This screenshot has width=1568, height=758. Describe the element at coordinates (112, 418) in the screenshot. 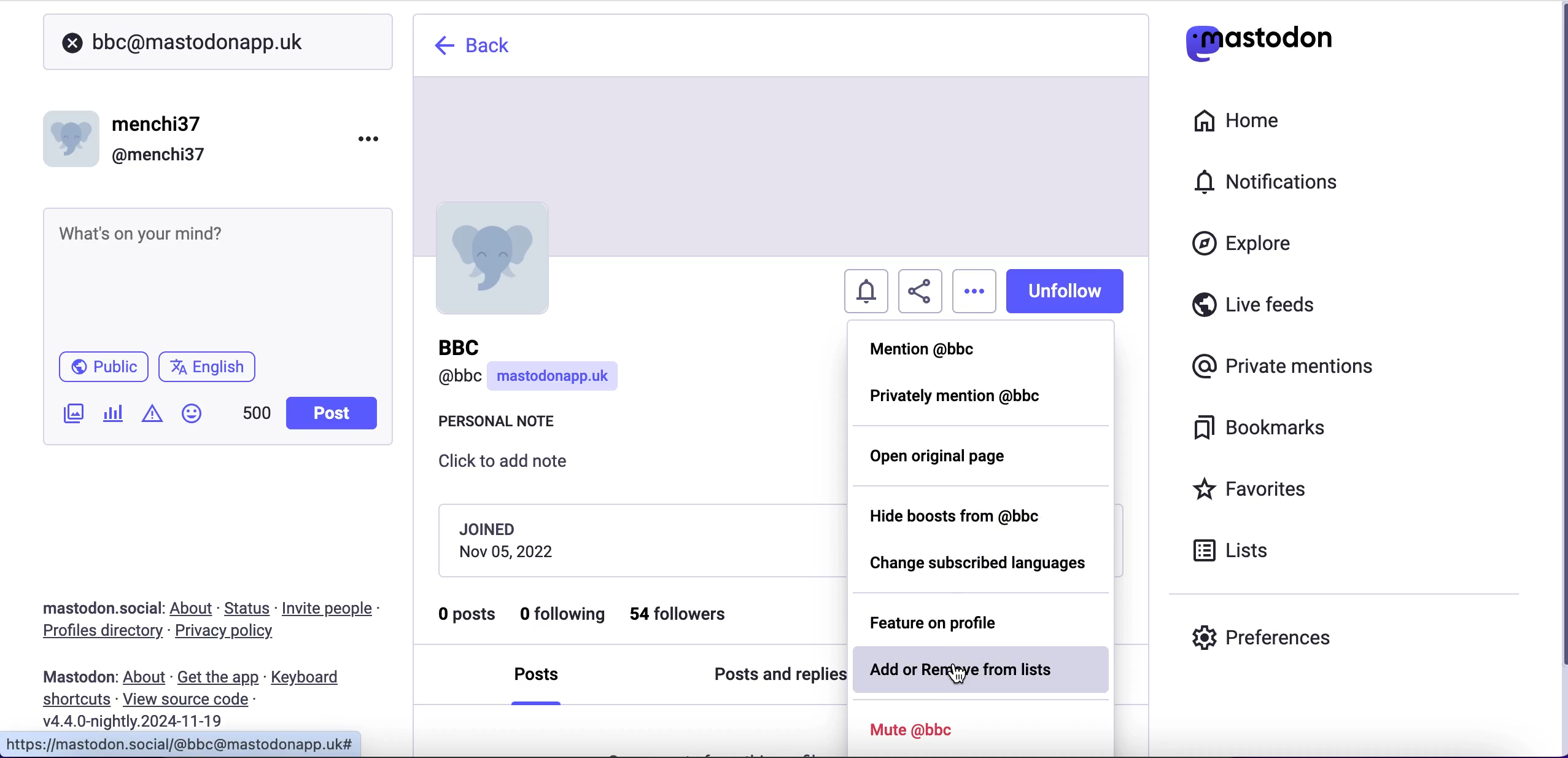

I see `add a poll` at that location.